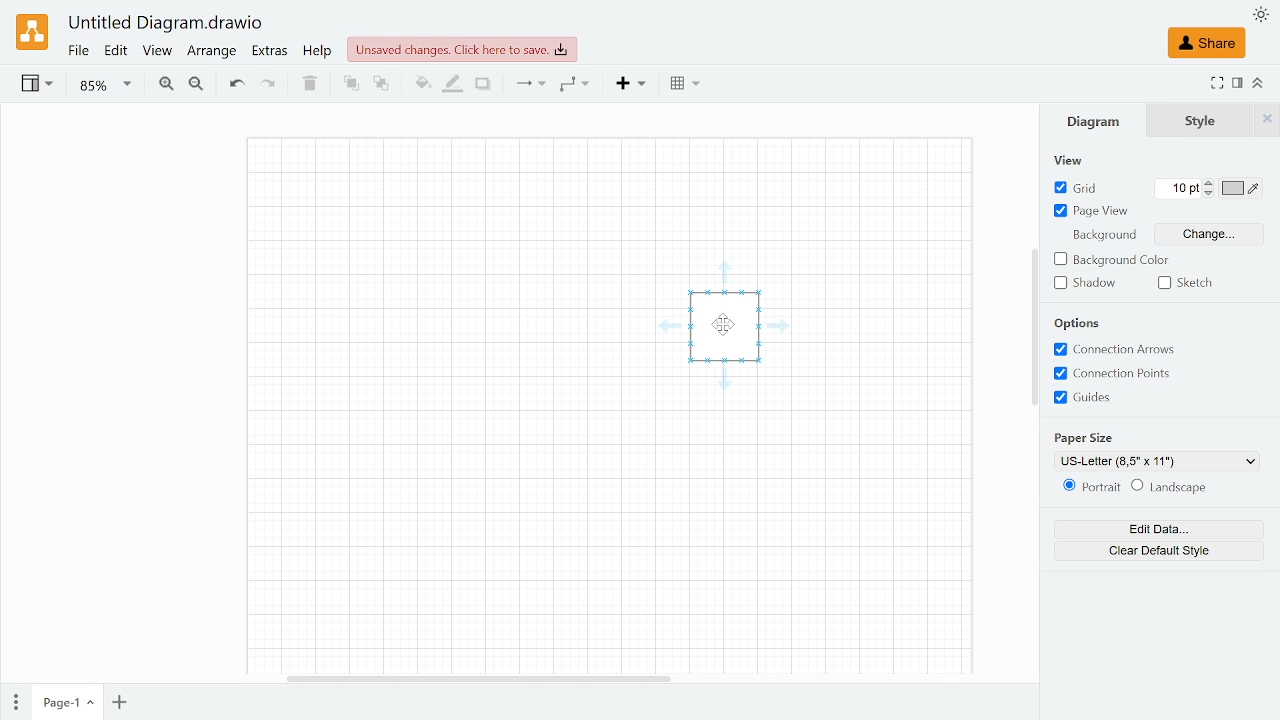 This screenshot has height=720, width=1280. I want to click on Paper size(US_Letter (8.5*11), so click(1136, 461).